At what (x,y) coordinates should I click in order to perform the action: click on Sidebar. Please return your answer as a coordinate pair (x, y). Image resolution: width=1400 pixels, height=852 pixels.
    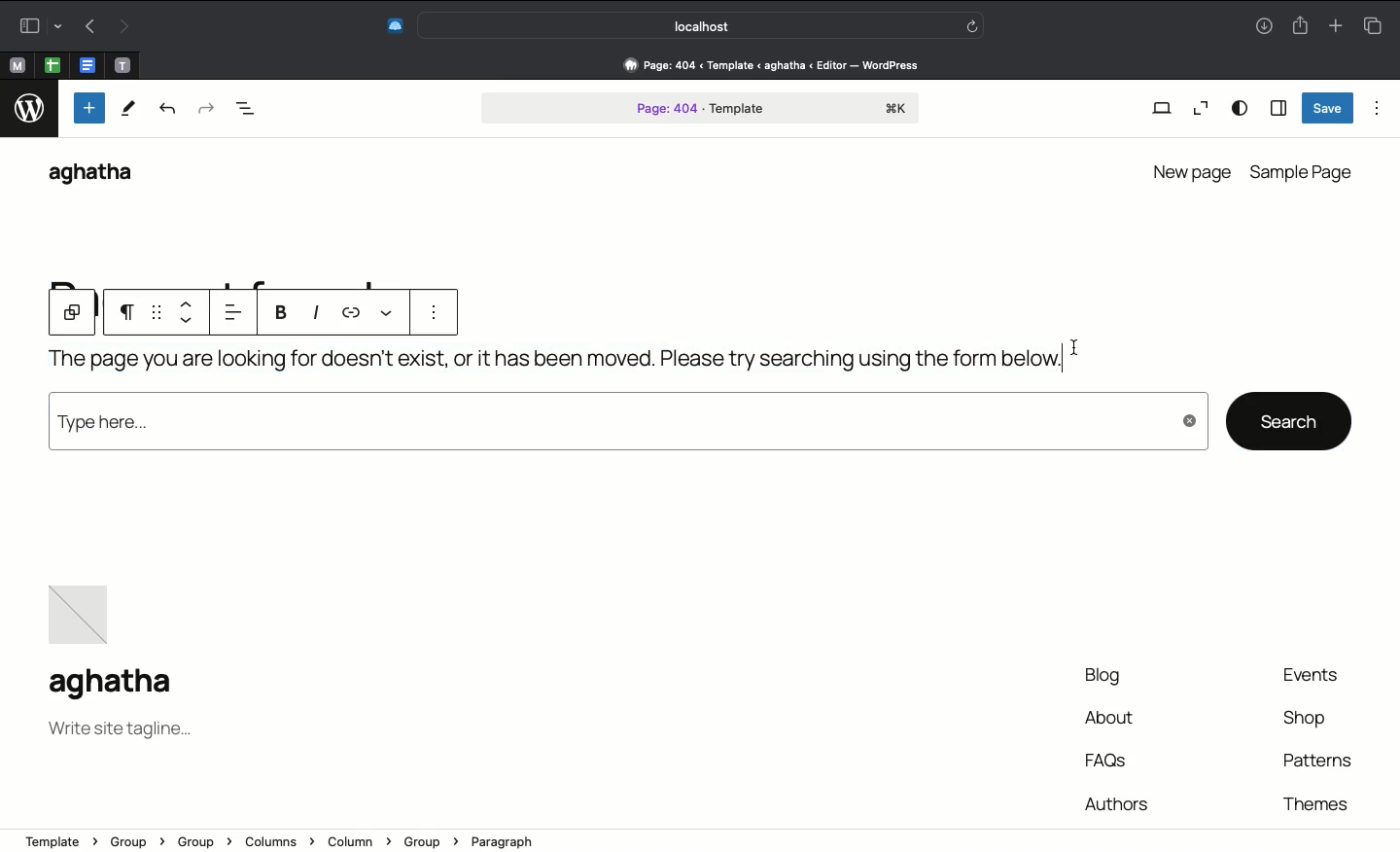
    Looking at the image, I should click on (1277, 107).